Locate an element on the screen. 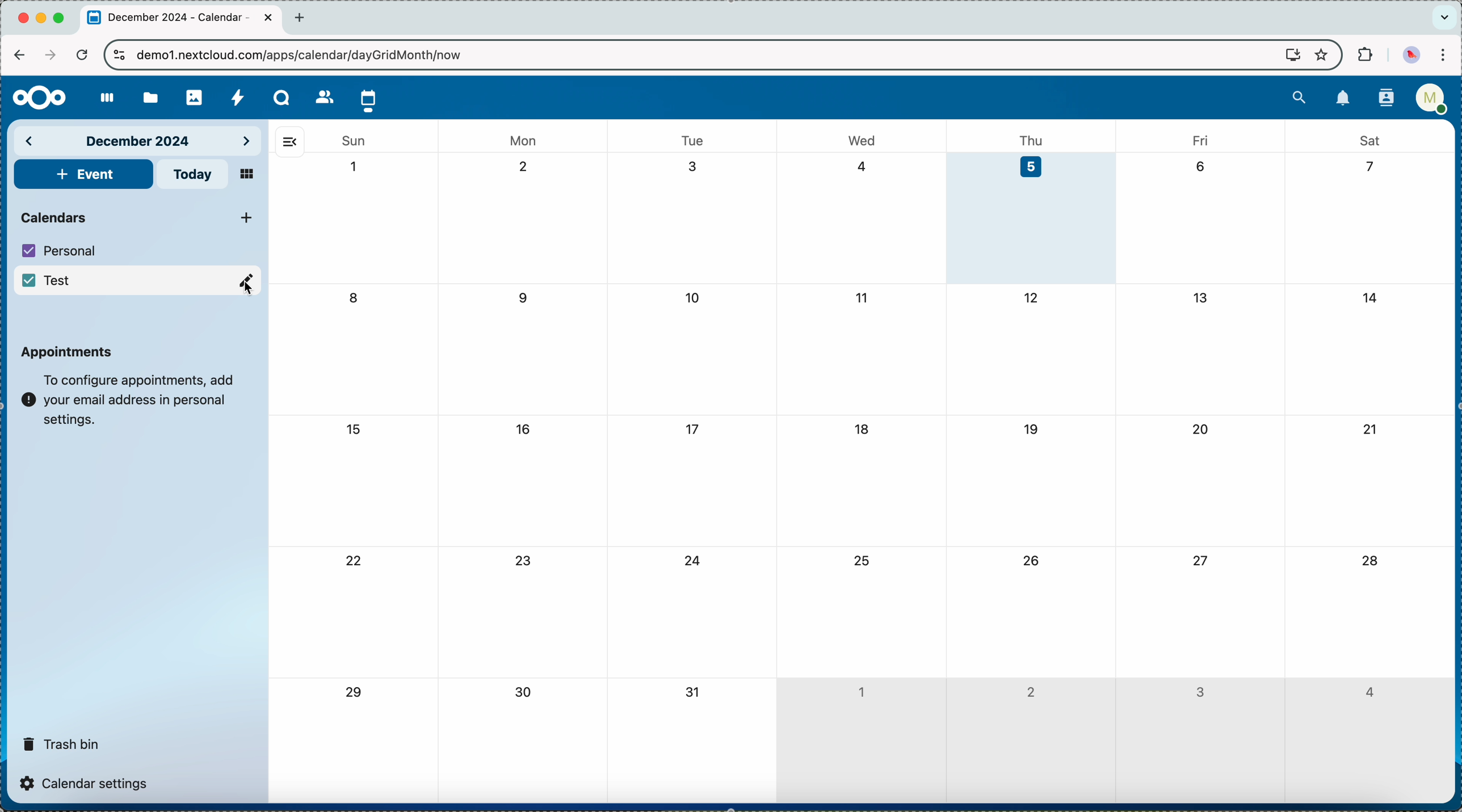 Image resolution: width=1462 pixels, height=812 pixels. mon is located at coordinates (524, 137).